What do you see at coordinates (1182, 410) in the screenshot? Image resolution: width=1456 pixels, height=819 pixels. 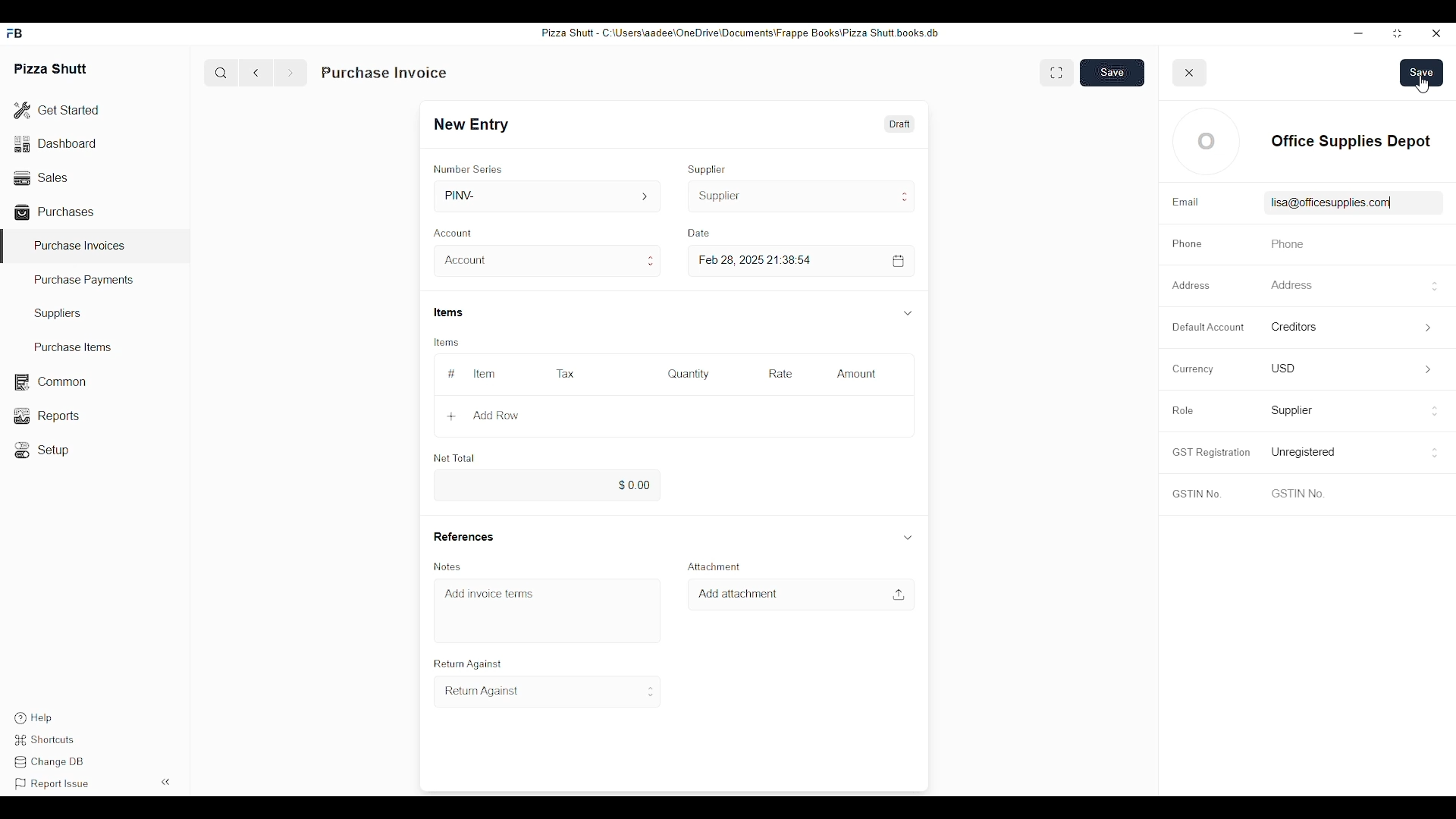 I see `Role` at bounding box center [1182, 410].